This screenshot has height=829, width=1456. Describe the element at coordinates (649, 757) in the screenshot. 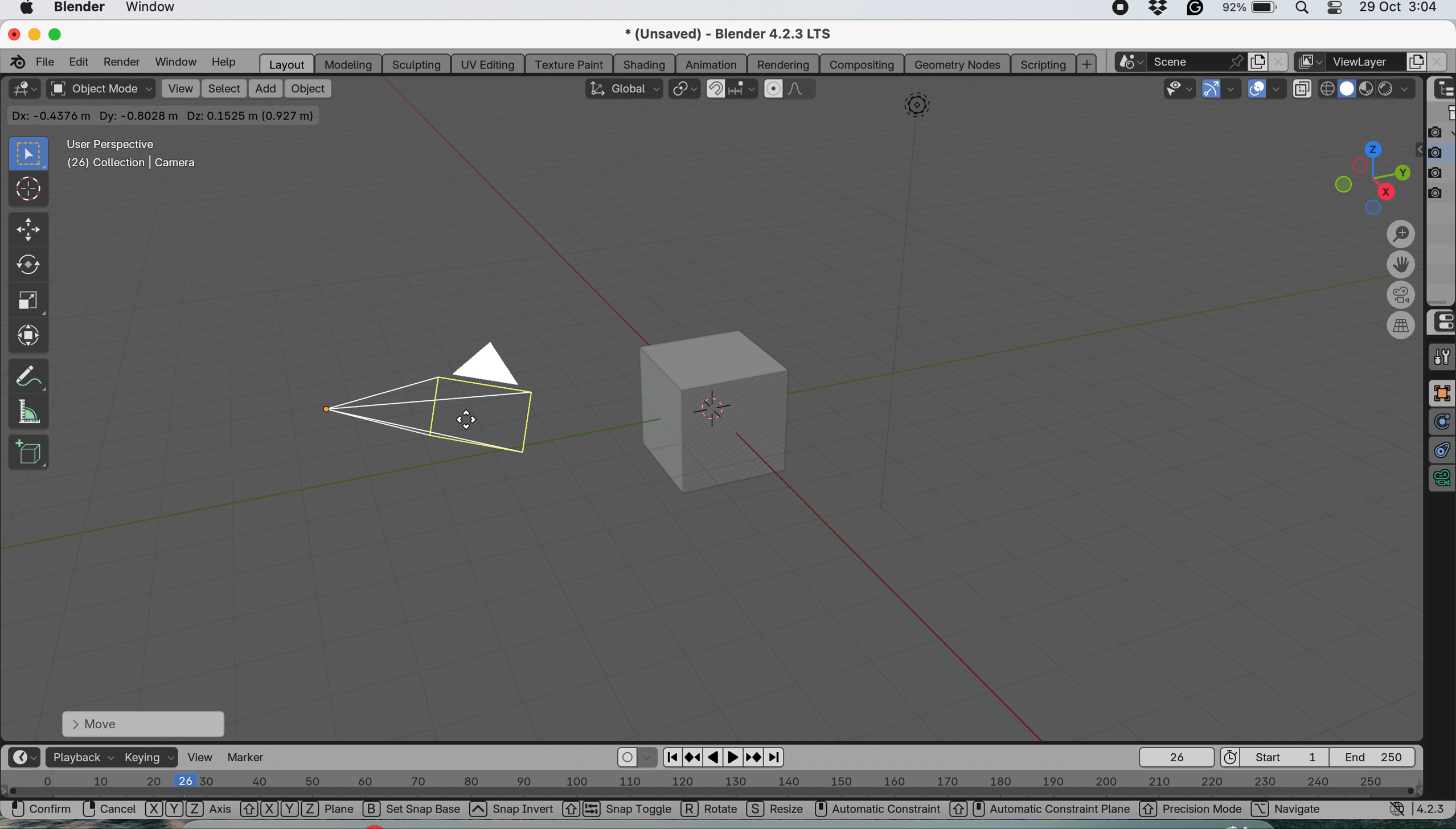

I see `auto key framing` at that location.